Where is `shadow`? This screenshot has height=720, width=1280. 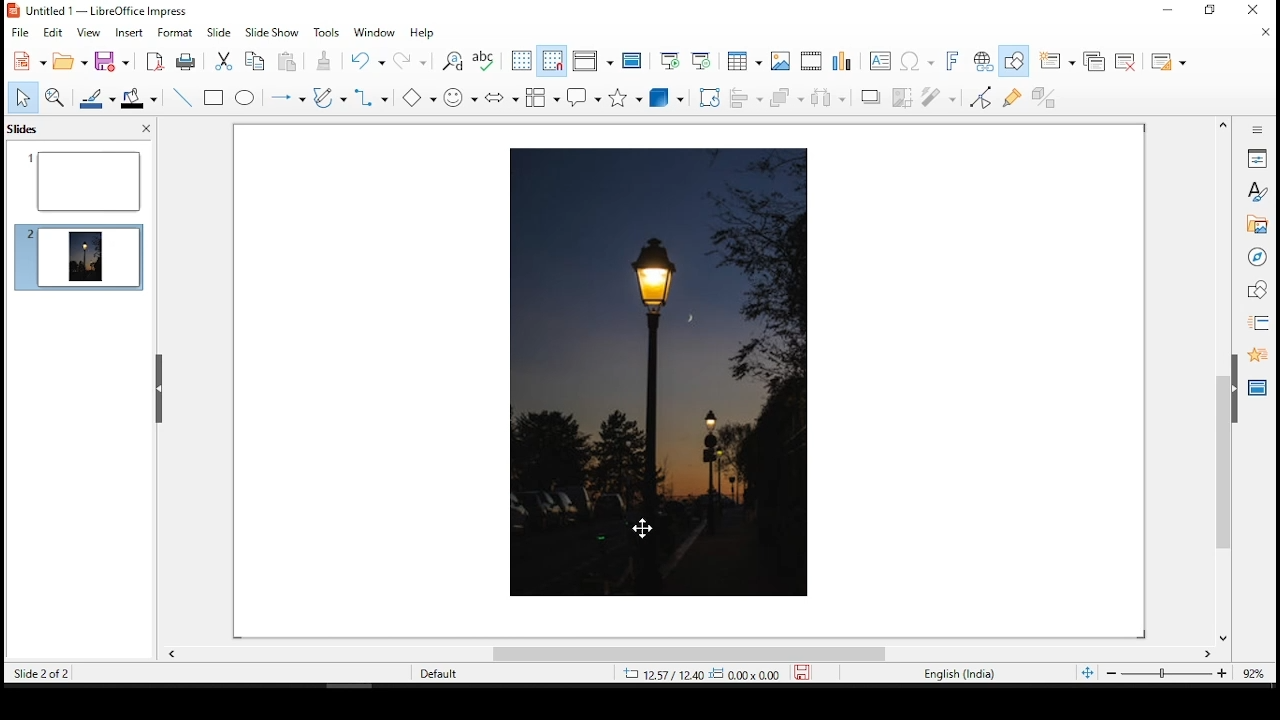
shadow is located at coordinates (871, 98).